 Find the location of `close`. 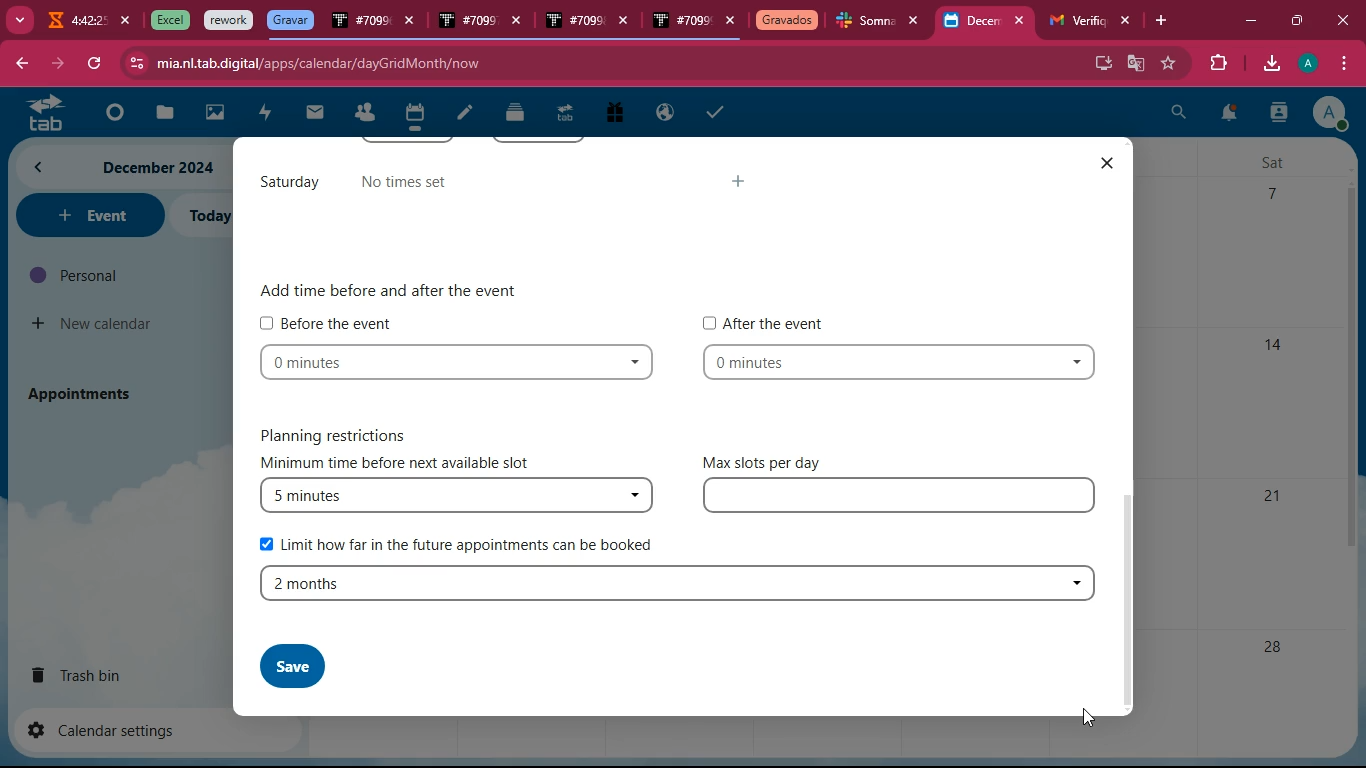

close is located at coordinates (628, 23).